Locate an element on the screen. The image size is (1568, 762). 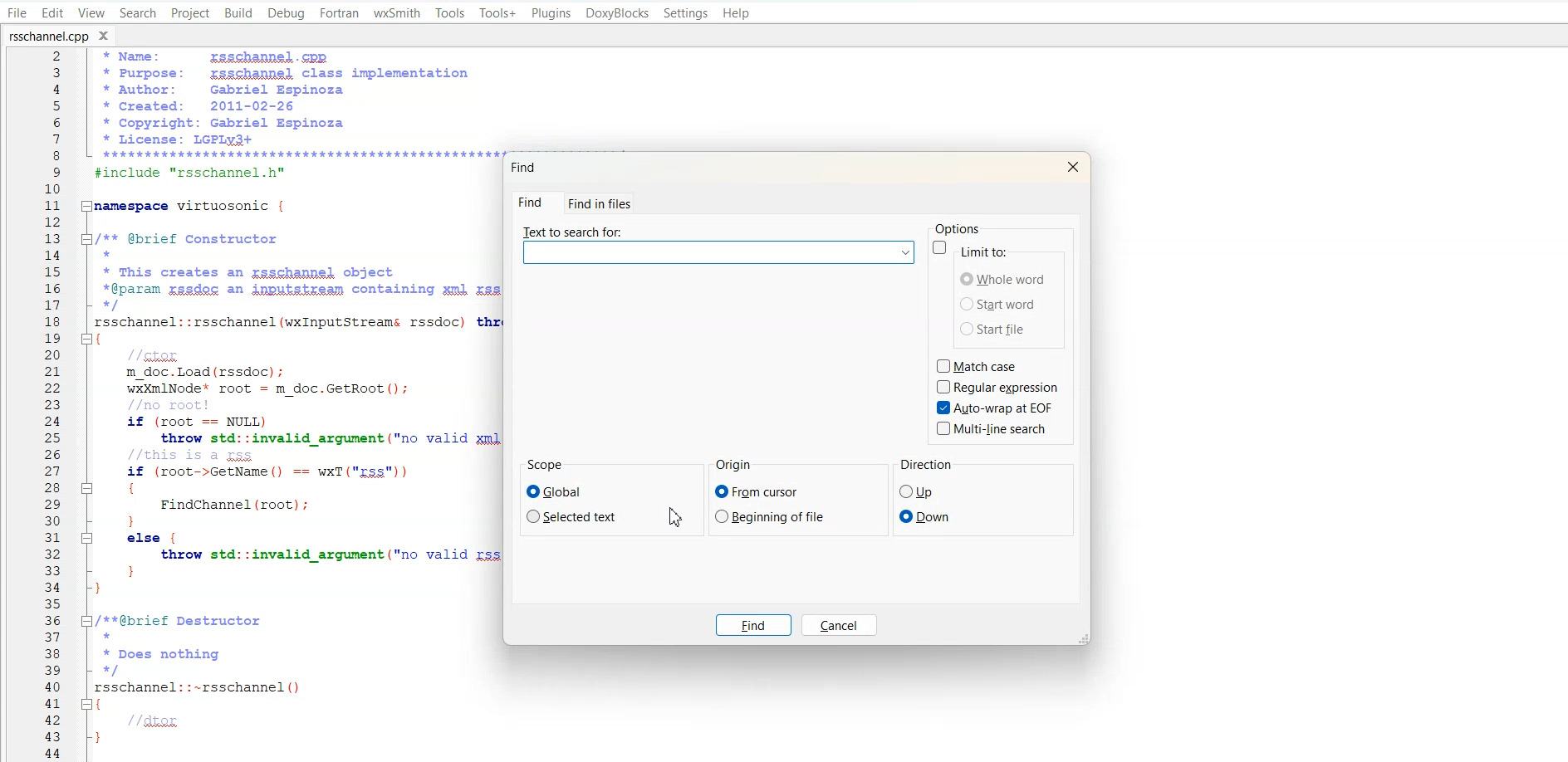
Whole word is located at coordinates (1004, 278).